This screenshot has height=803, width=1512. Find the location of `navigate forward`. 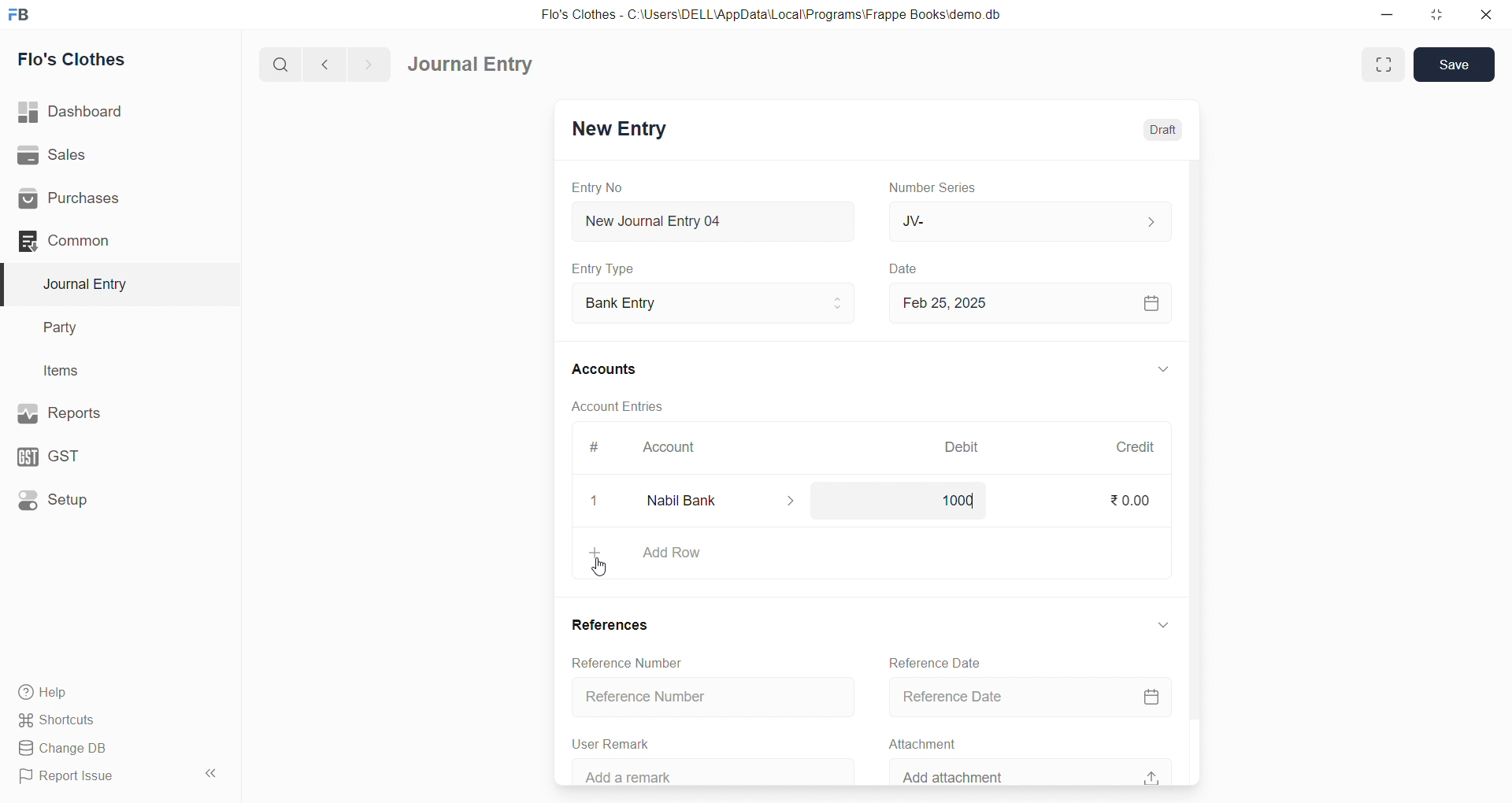

navigate forward is located at coordinates (368, 63).